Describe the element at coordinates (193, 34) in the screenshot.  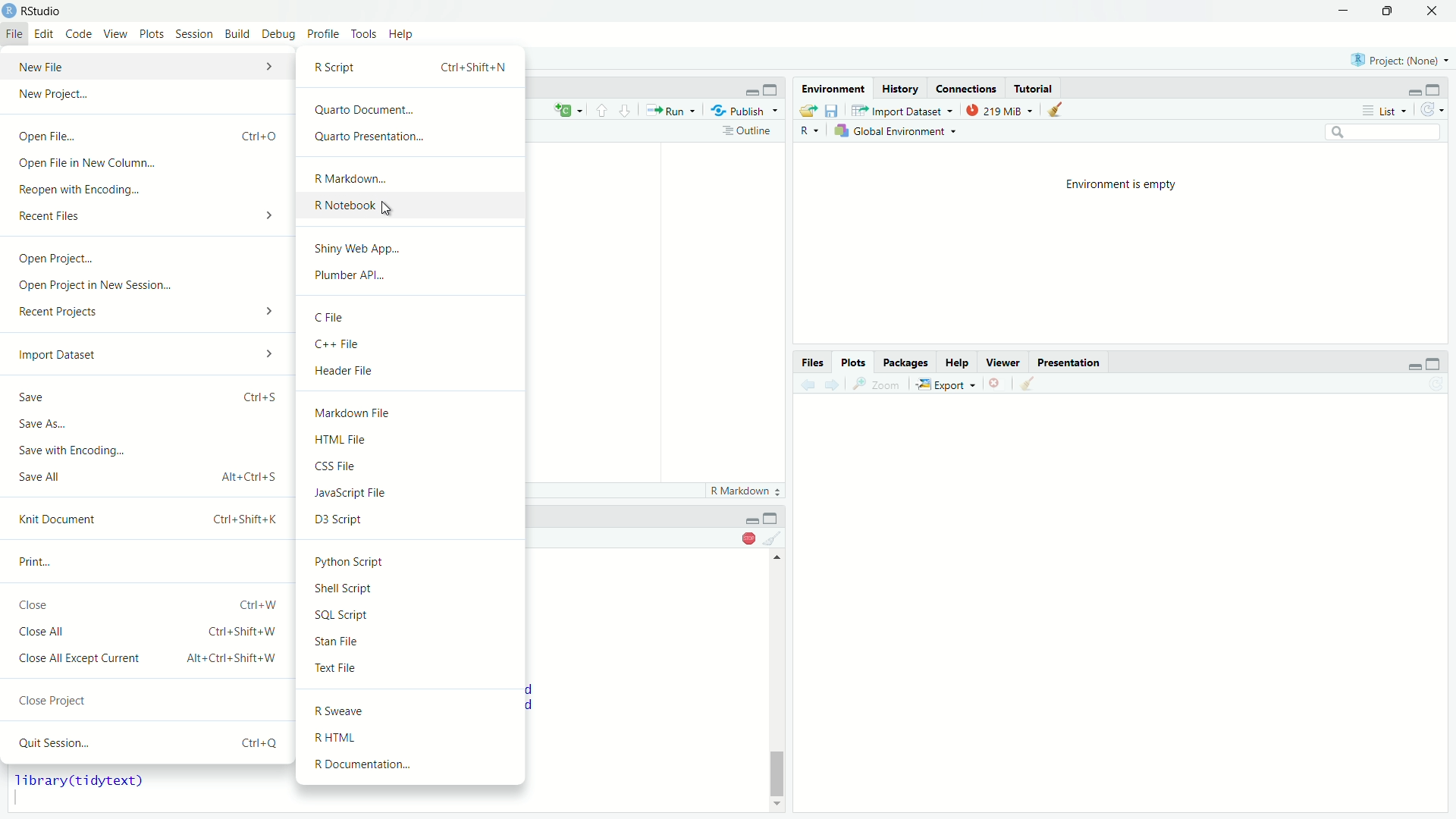
I see `Session` at that location.